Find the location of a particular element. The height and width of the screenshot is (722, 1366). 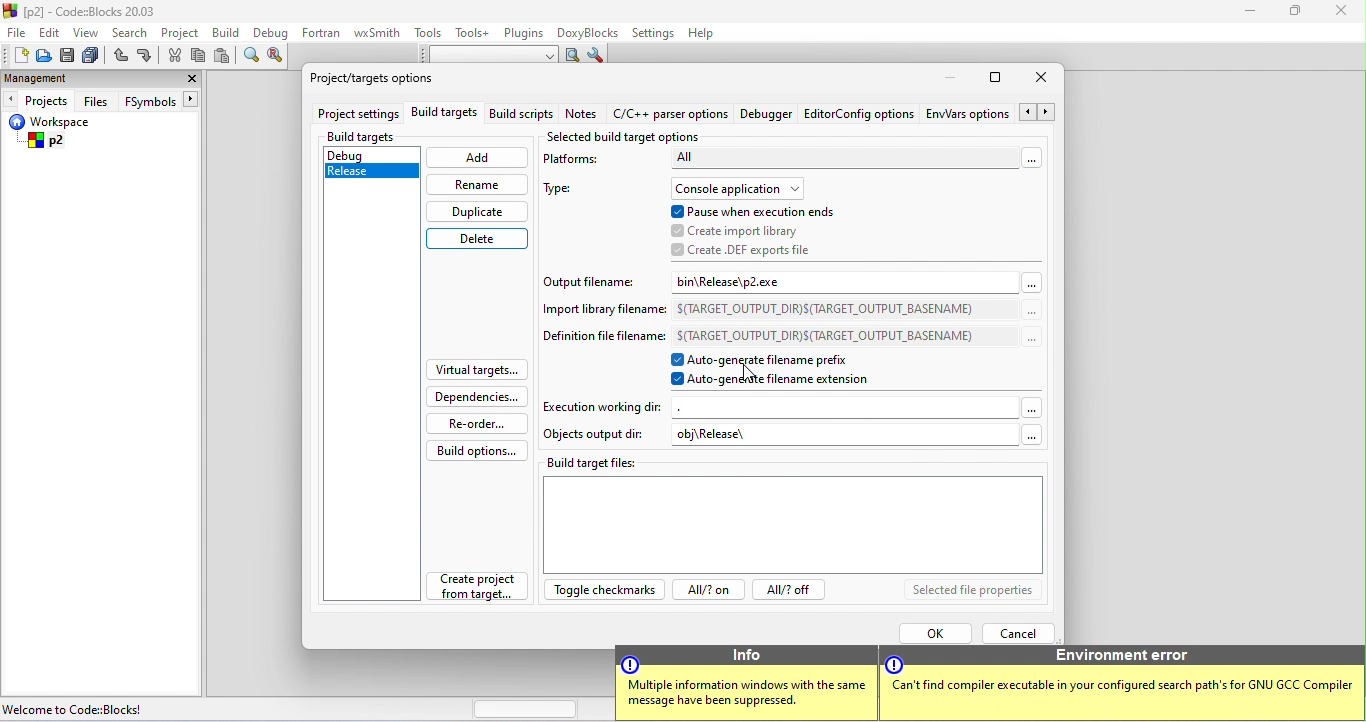

paste is located at coordinates (223, 58).